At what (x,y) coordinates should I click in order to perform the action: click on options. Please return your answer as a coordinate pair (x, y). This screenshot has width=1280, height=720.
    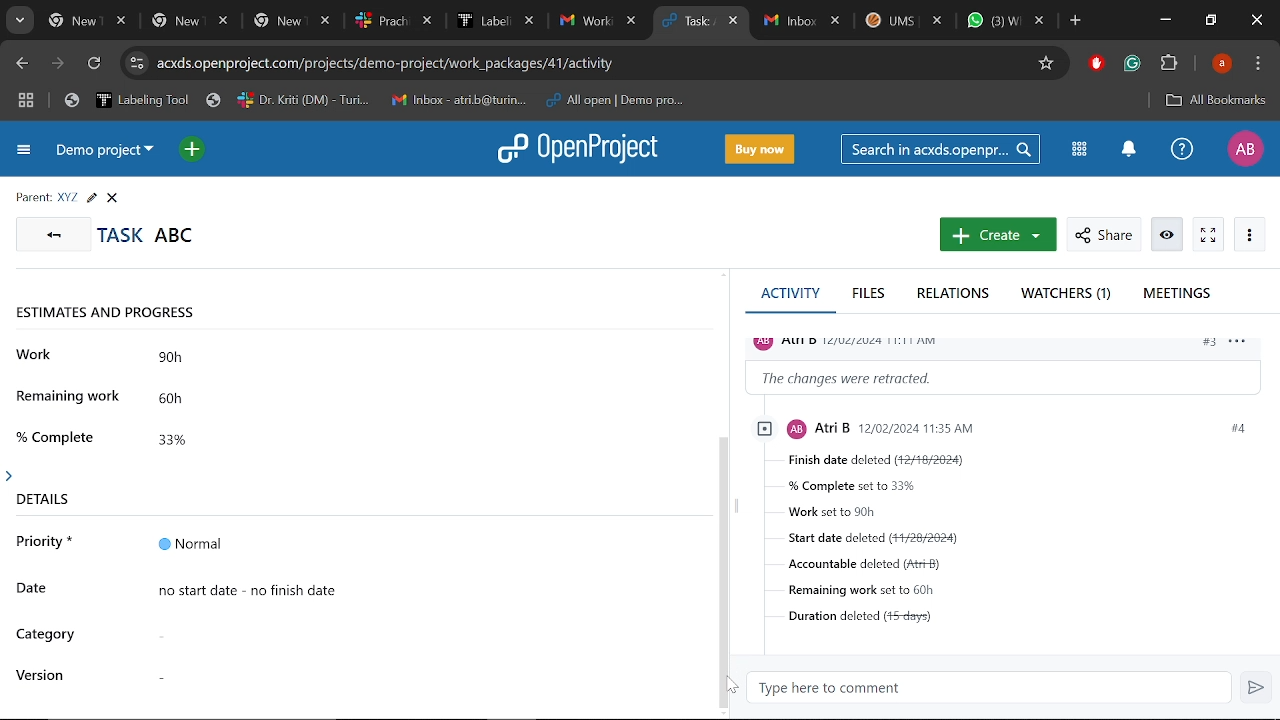
    Looking at the image, I should click on (1243, 345).